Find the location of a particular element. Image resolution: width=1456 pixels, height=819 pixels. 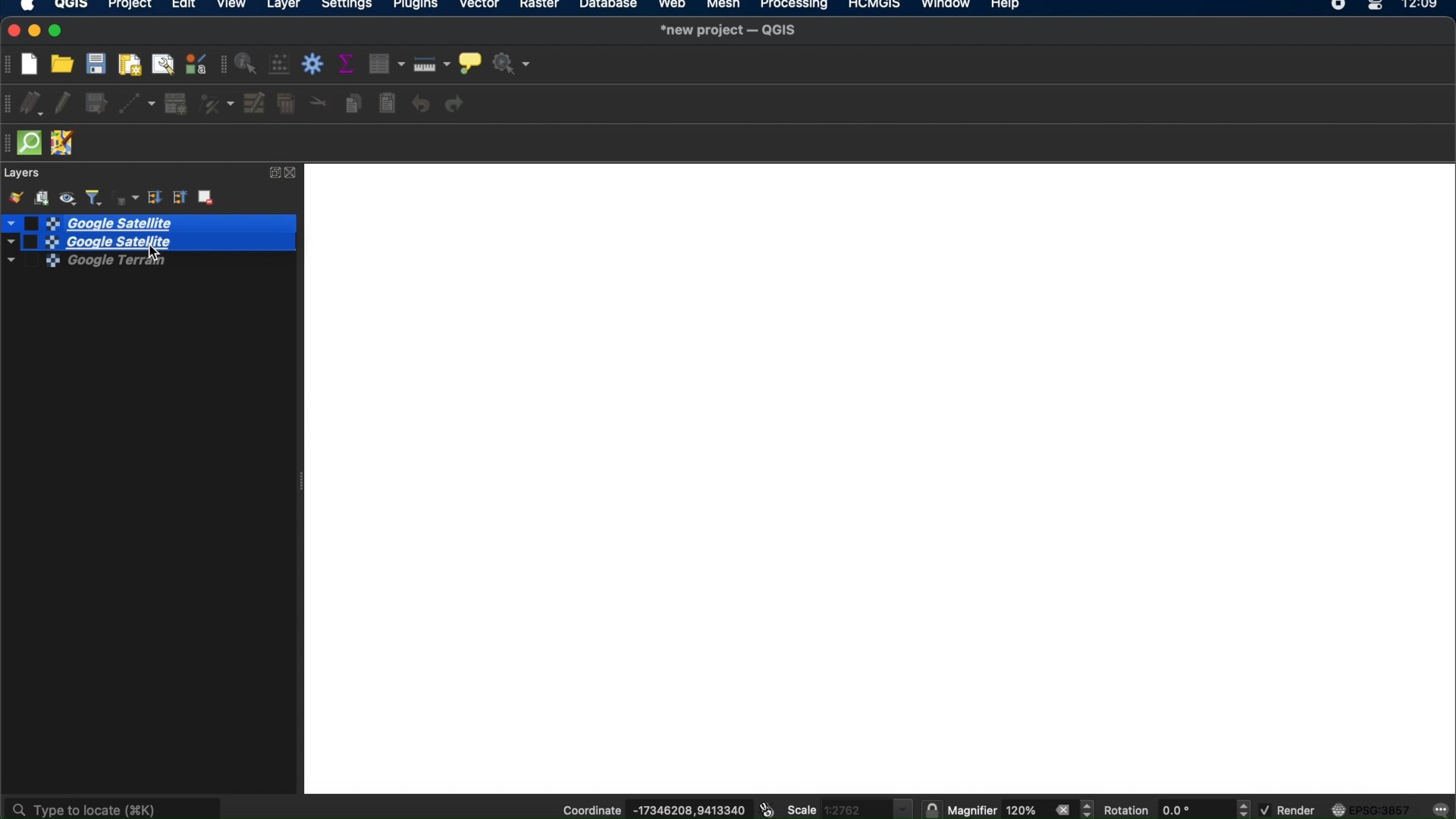

google satellite selected is located at coordinates (148, 223).